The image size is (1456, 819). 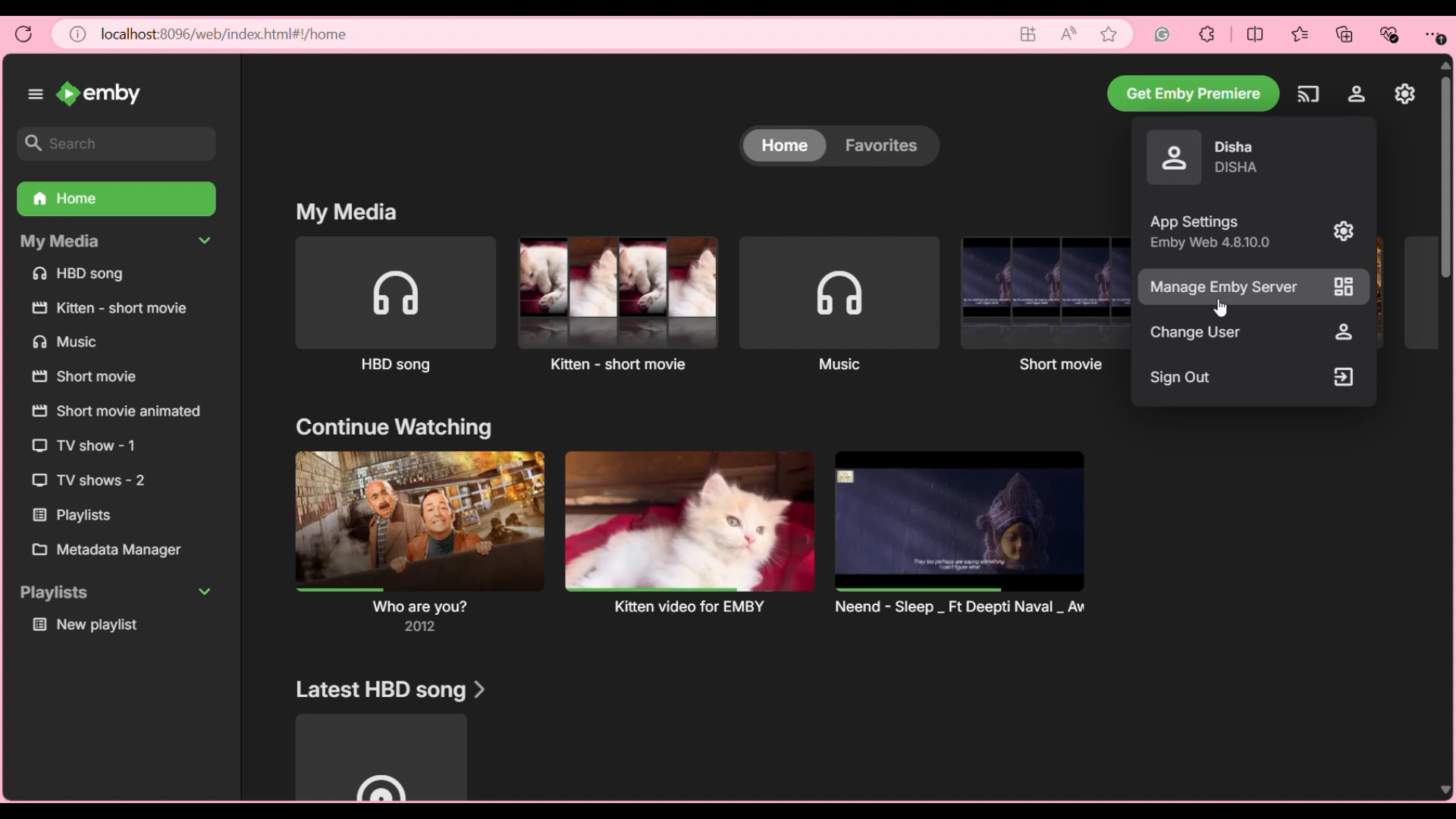 I want to click on Collapse, so click(x=205, y=591).